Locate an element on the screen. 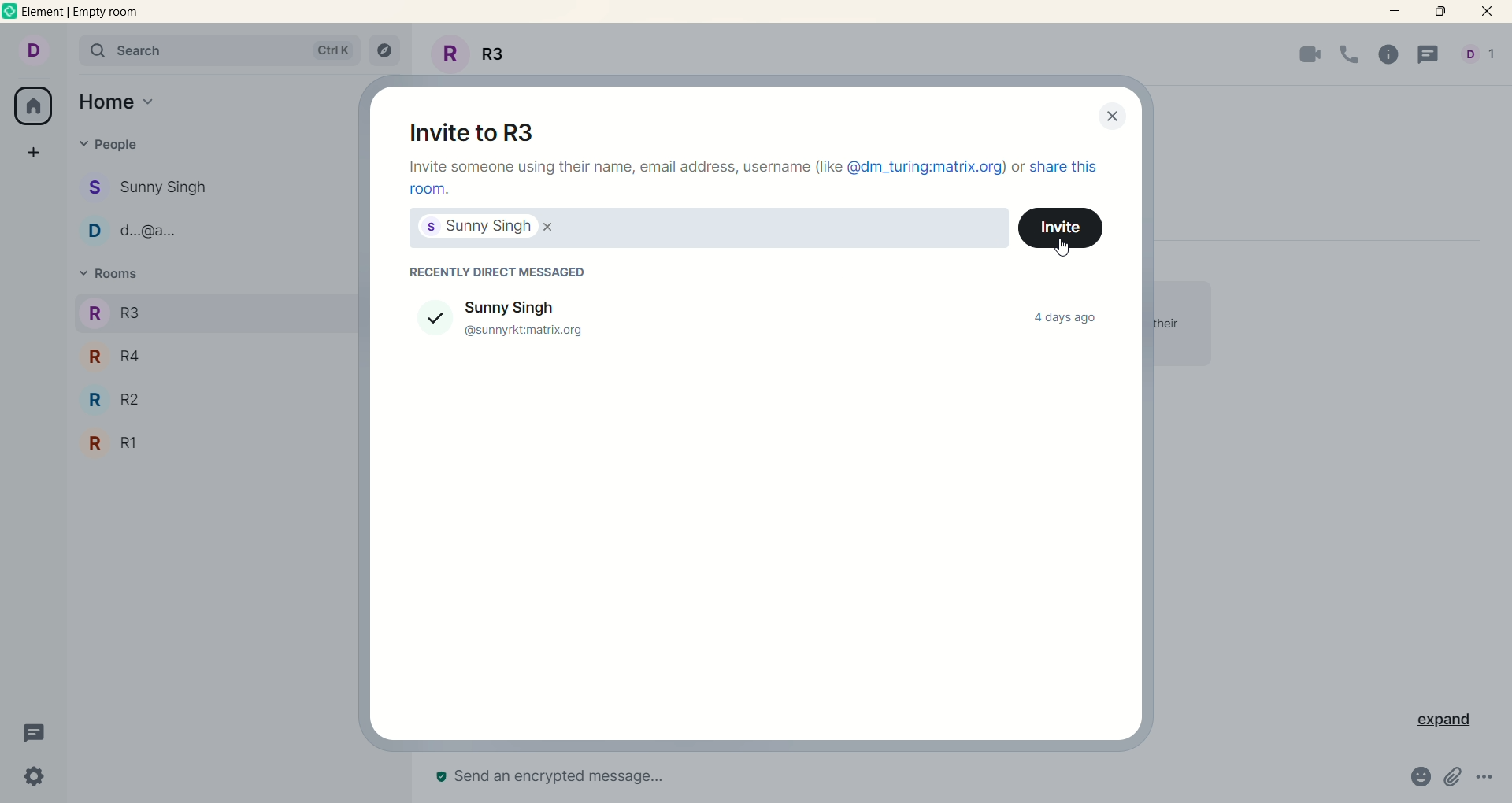 This screenshot has height=803, width=1512. voice call is located at coordinates (1347, 56).